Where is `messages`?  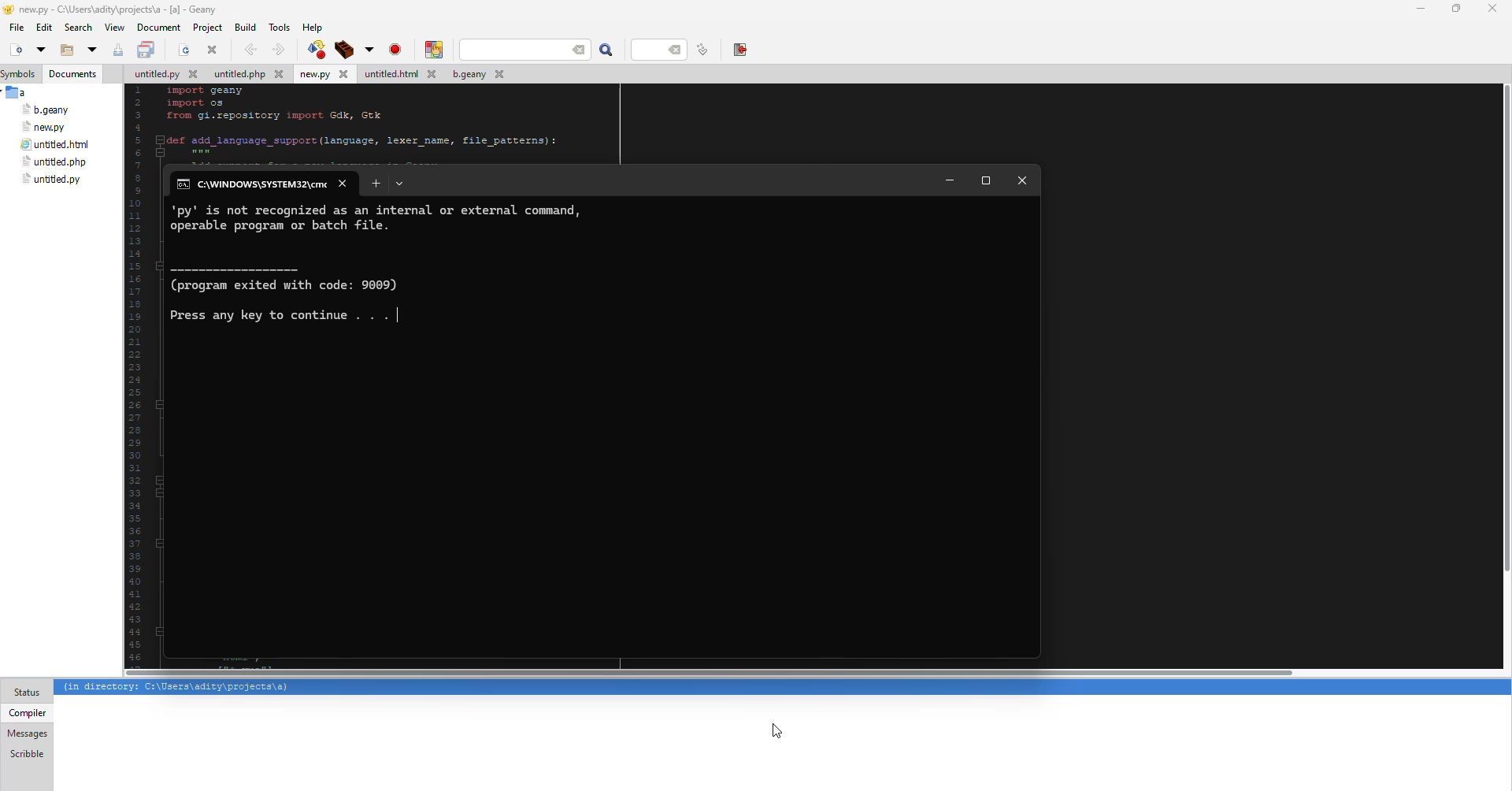
messages is located at coordinates (27, 733).